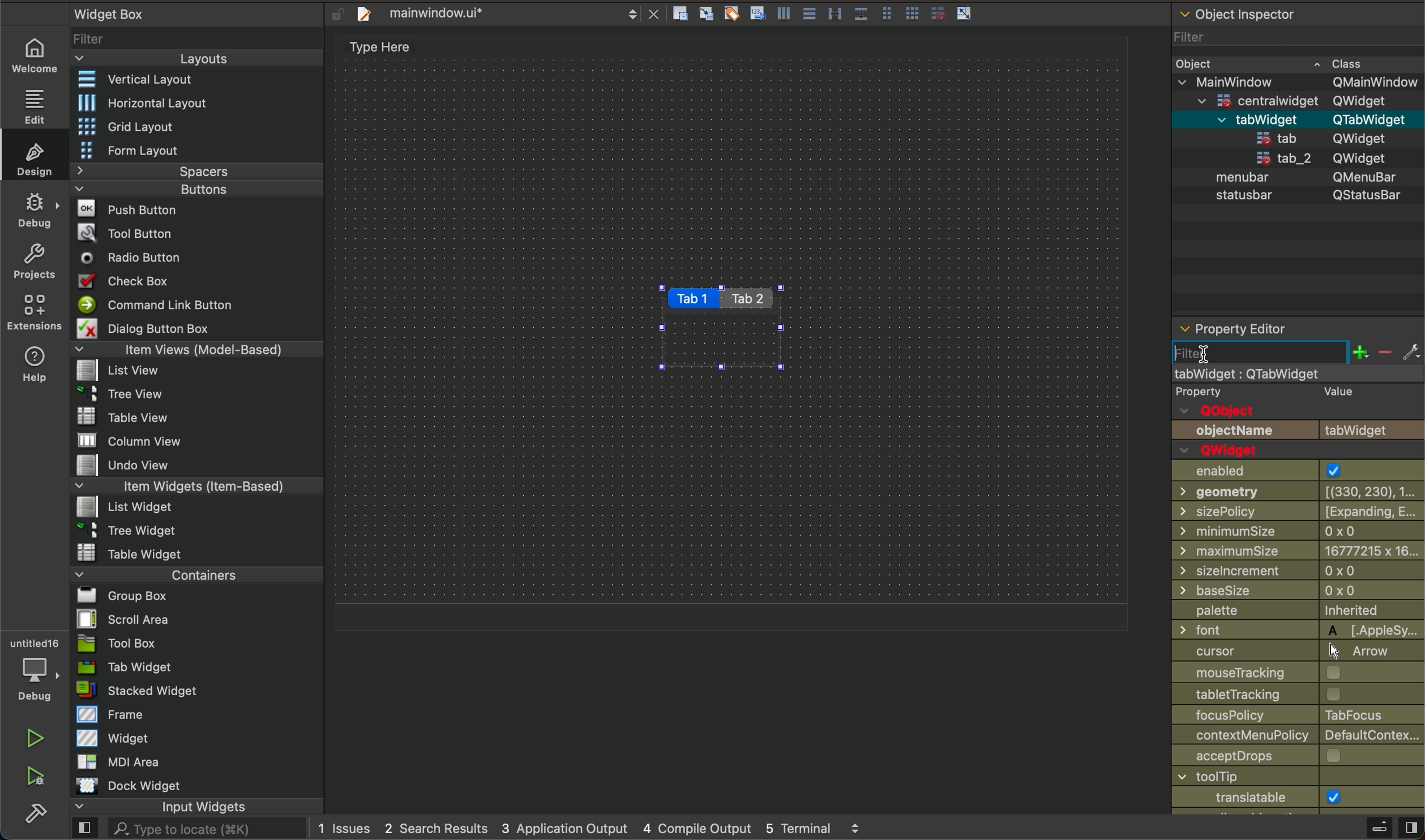  I want to click on Scroll Area, so click(127, 618).